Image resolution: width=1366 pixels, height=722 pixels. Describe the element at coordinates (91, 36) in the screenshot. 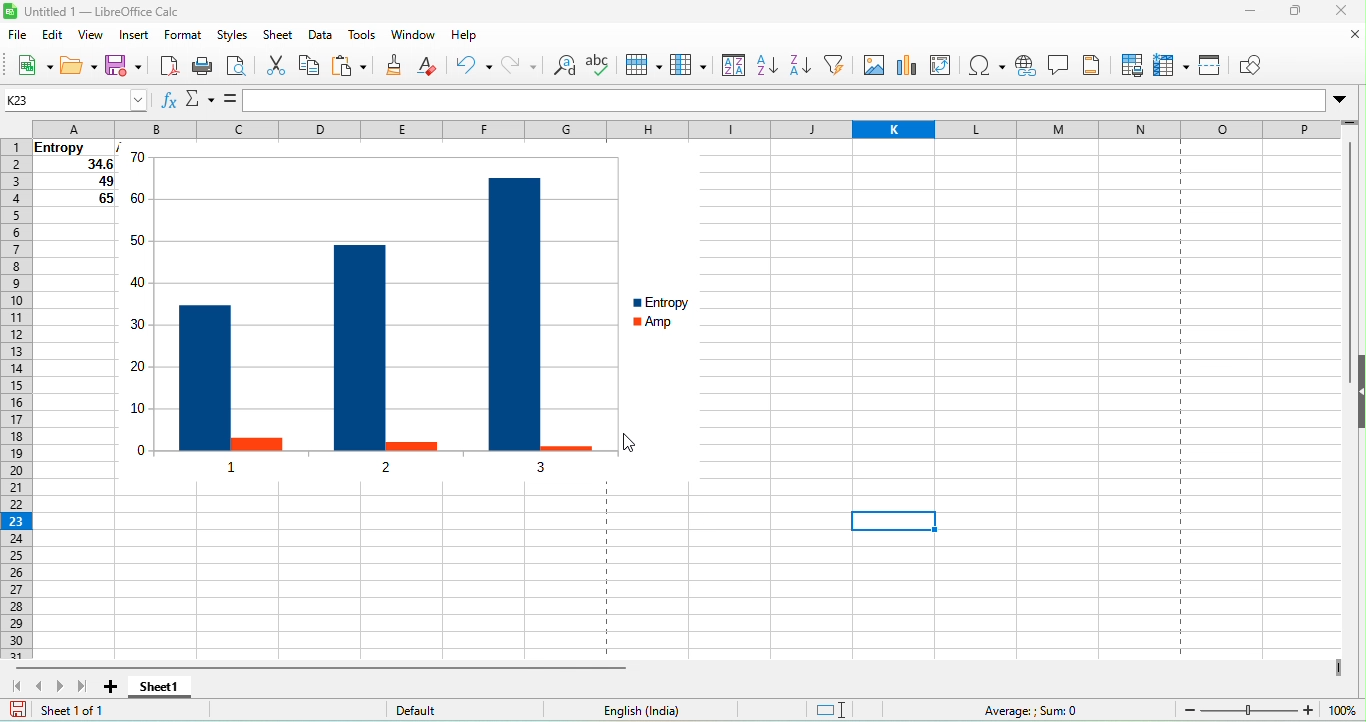

I see `view` at that location.